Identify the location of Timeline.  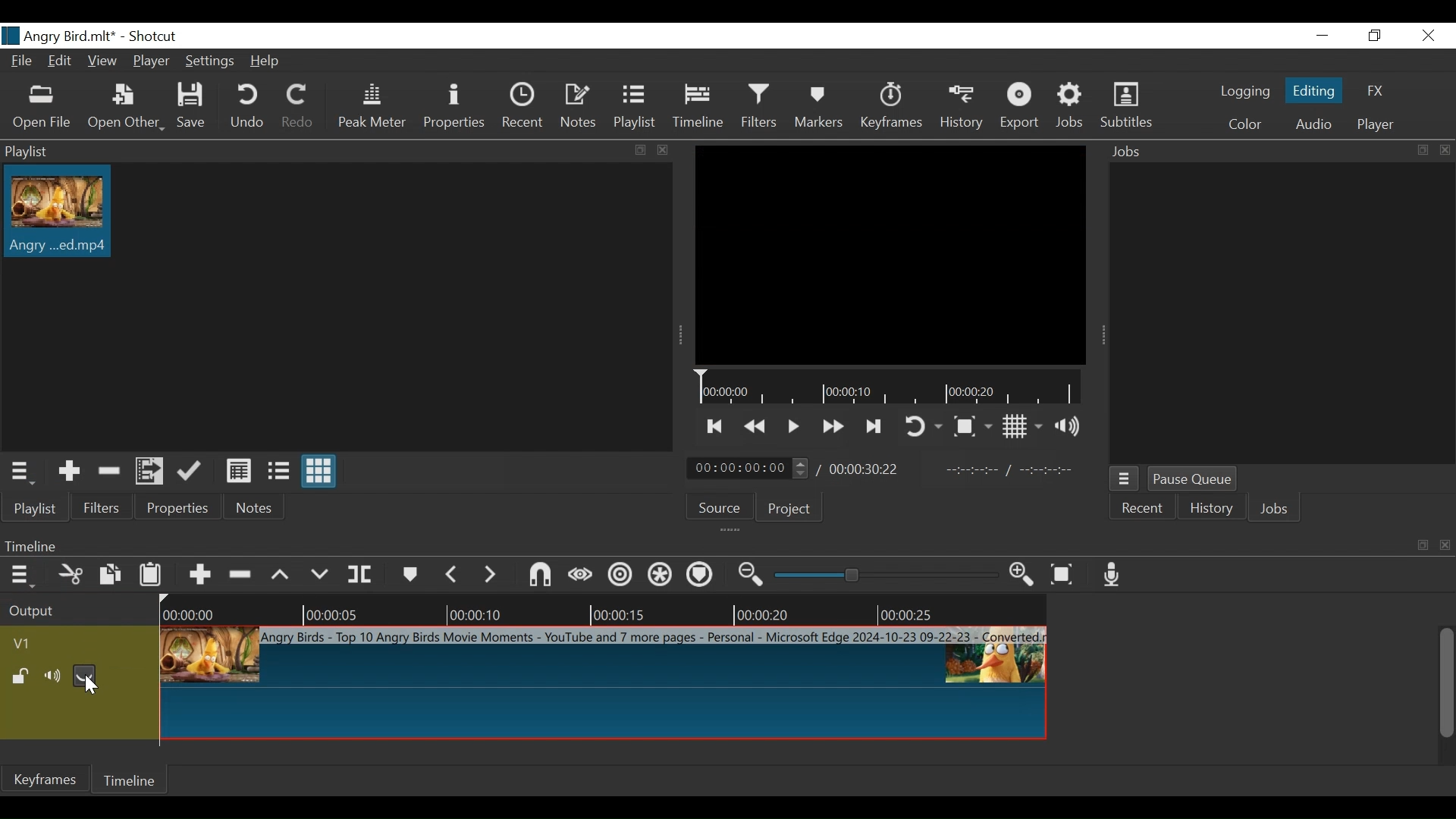
(698, 106).